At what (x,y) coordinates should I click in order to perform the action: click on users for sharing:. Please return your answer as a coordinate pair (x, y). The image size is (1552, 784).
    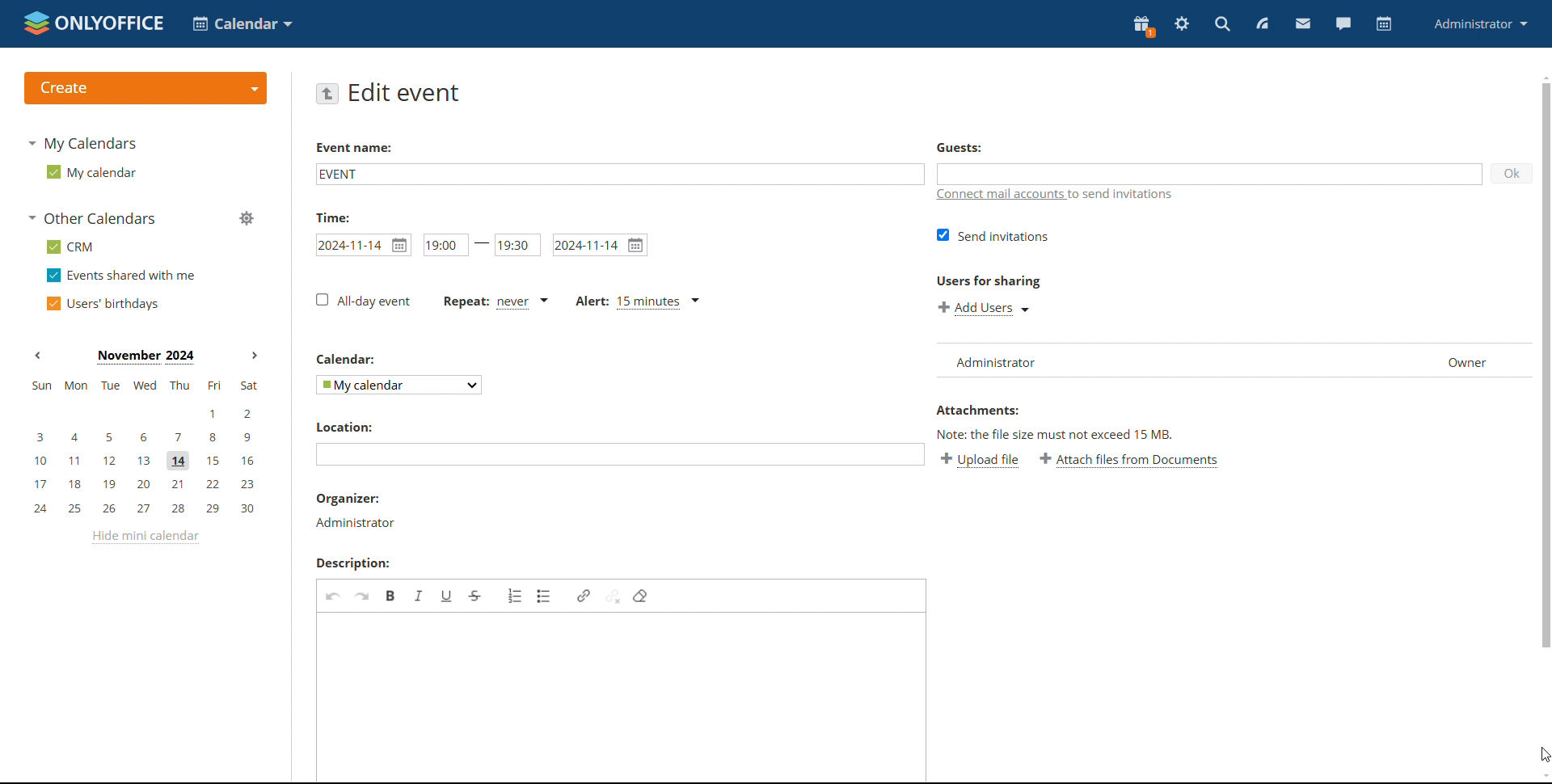
    Looking at the image, I should click on (988, 284).